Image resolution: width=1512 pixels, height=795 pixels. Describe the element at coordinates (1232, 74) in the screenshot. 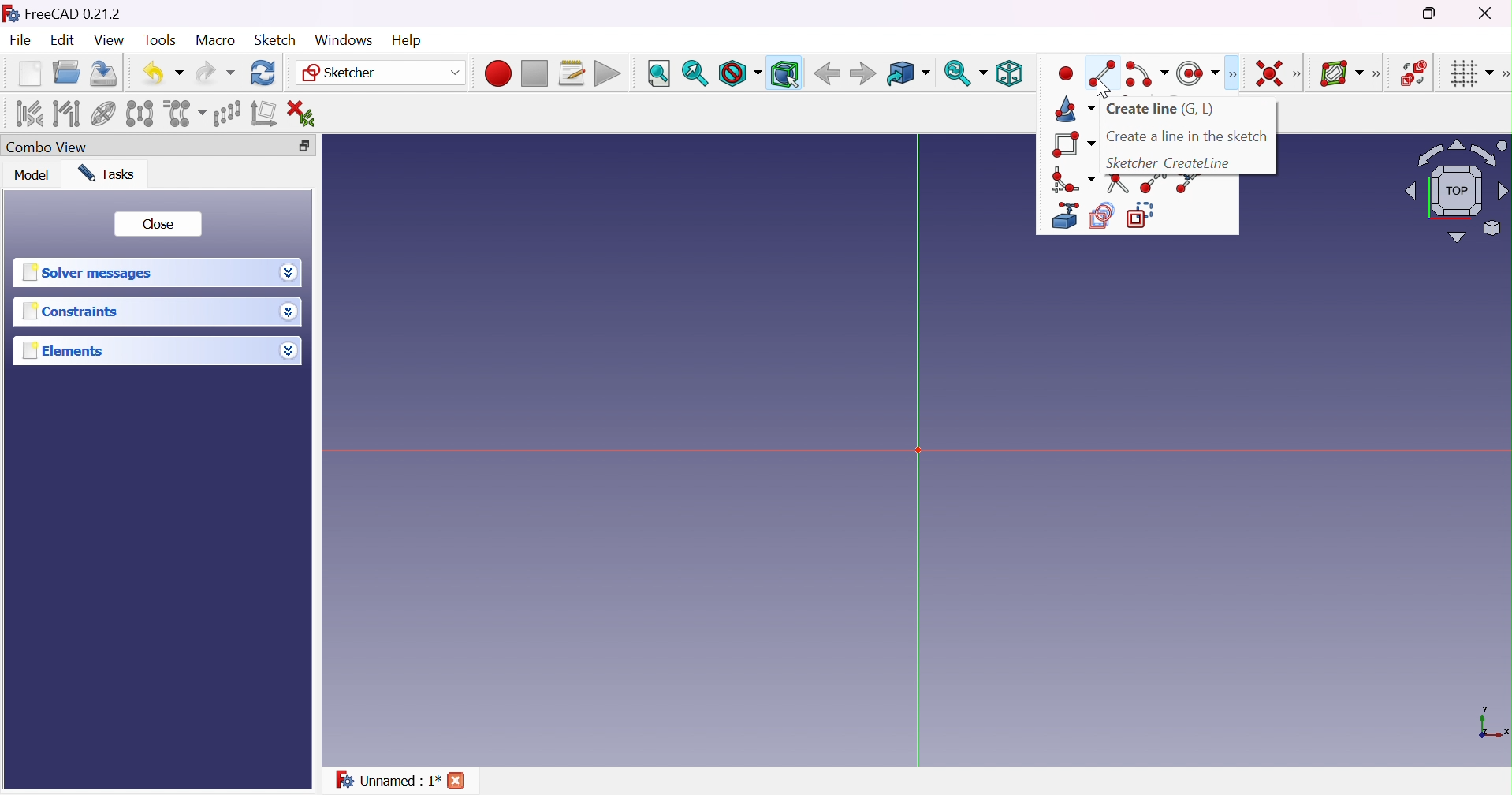

I see `[Sketcher geometrics]` at that location.